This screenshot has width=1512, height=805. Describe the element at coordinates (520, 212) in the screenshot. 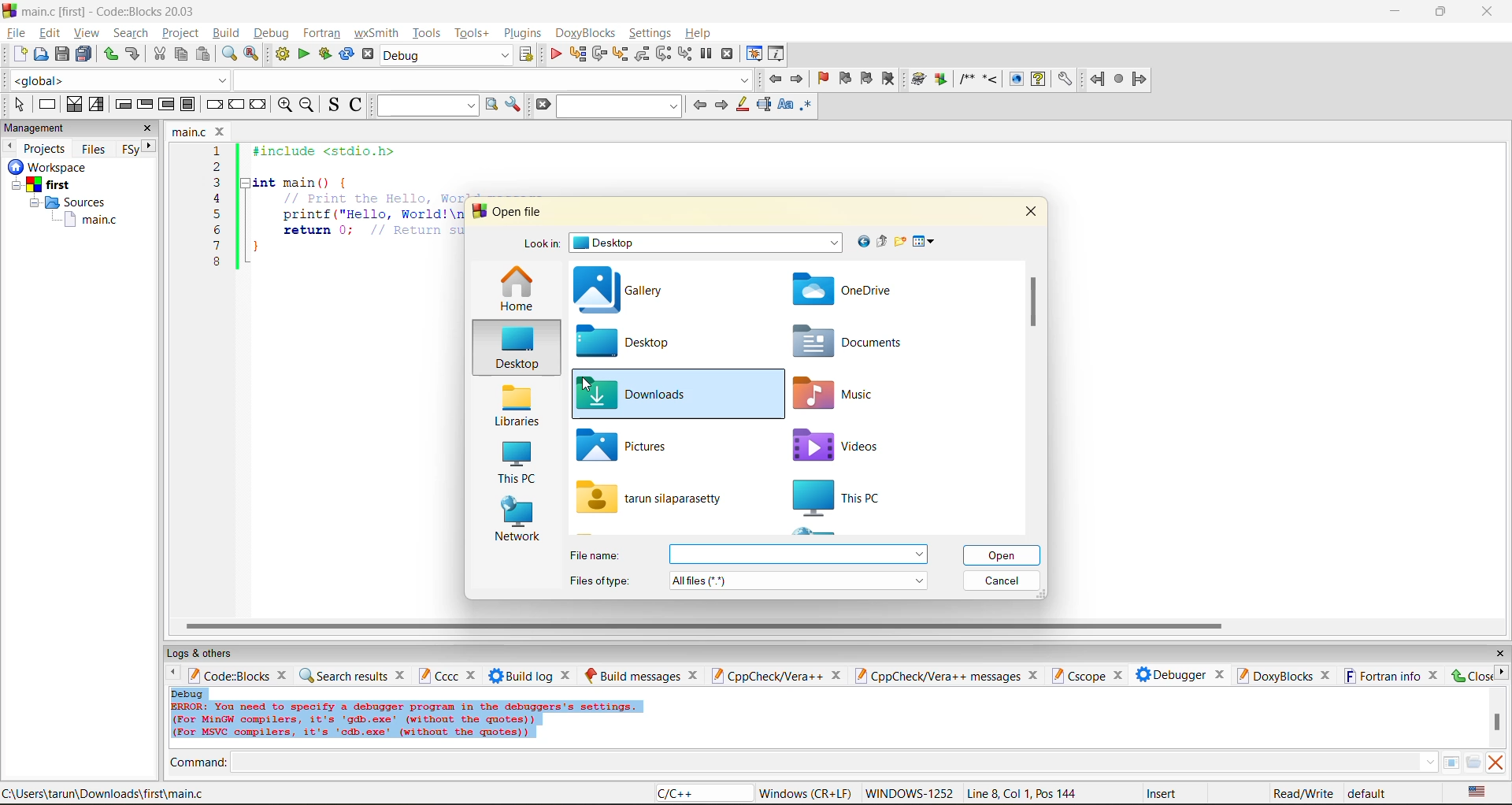

I see `open file` at that location.